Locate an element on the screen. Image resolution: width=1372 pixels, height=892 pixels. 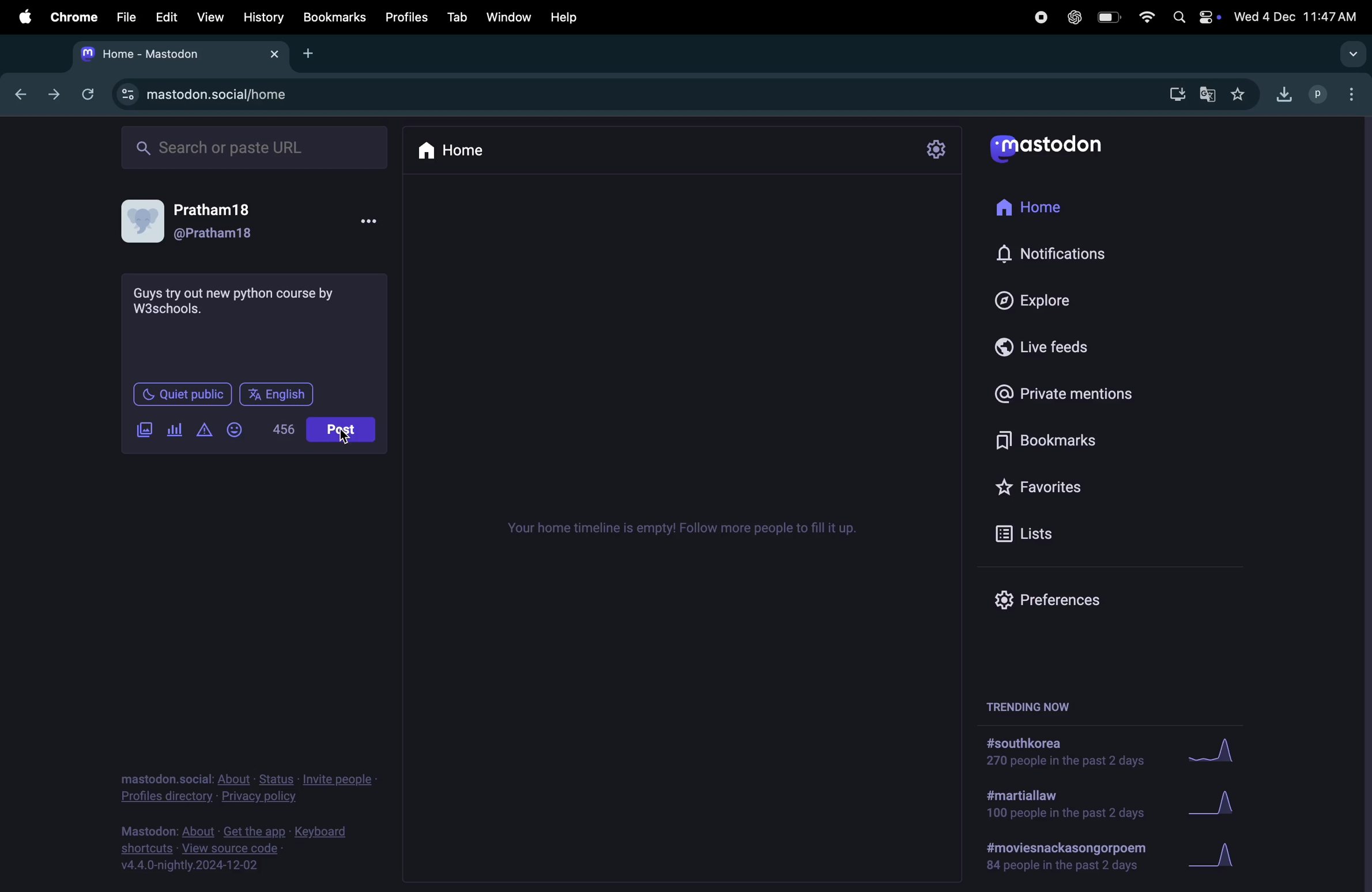
notifications is located at coordinates (1051, 255).